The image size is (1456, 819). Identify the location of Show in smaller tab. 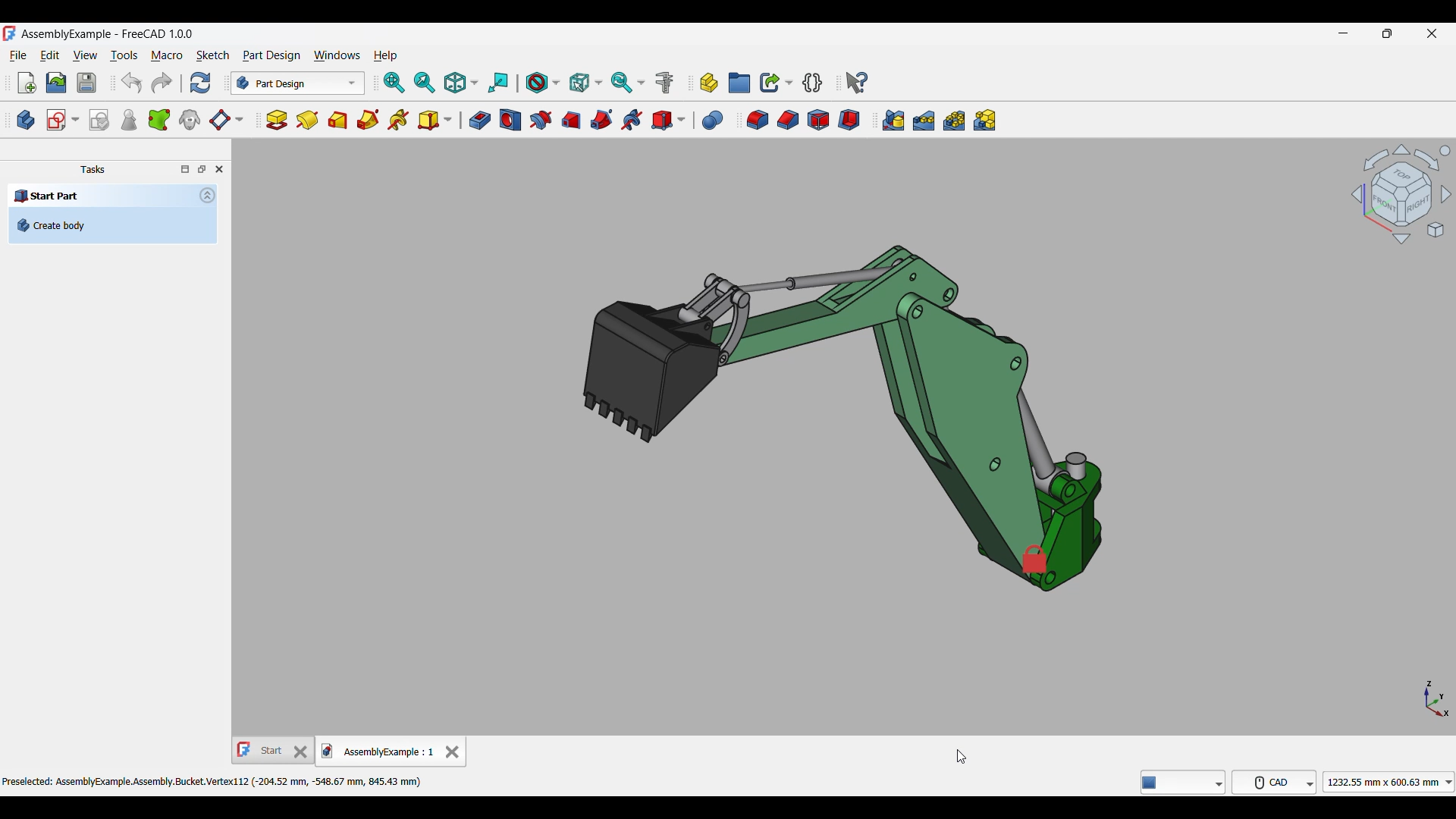
(1388, 33).